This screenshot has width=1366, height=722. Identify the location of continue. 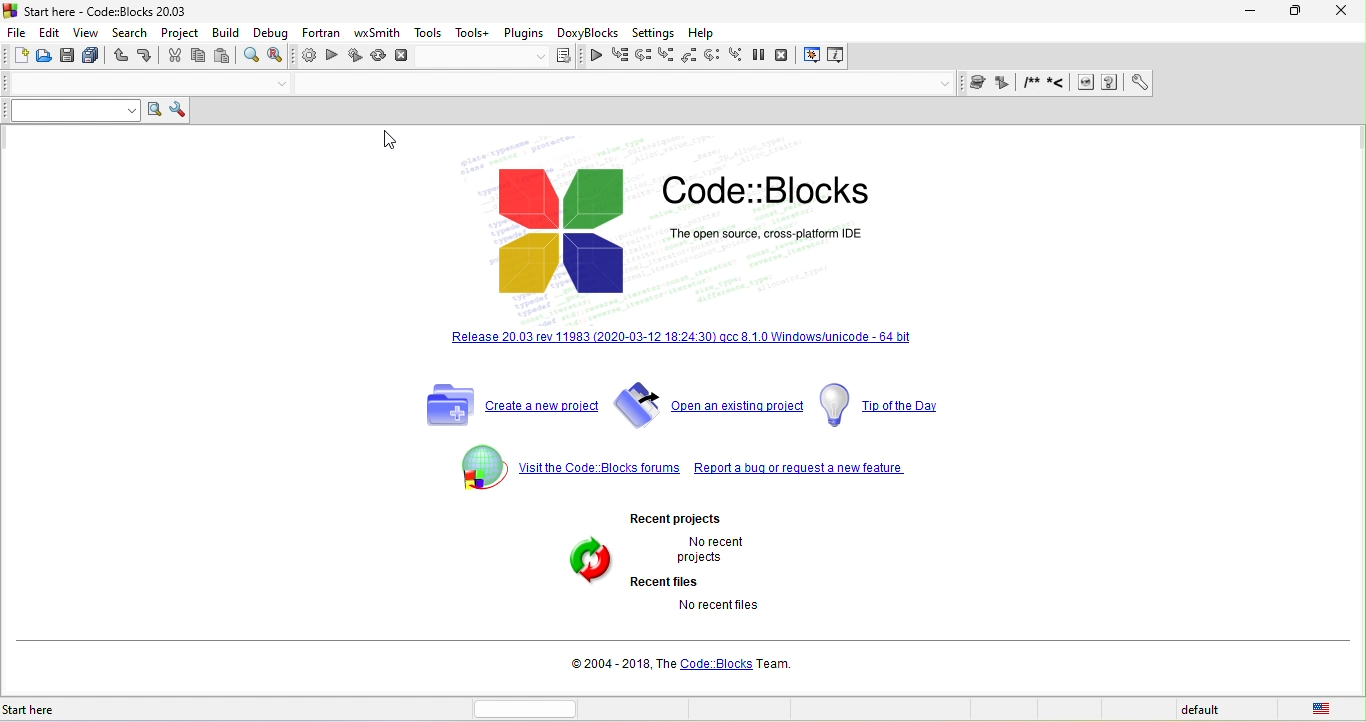
(596, 59).